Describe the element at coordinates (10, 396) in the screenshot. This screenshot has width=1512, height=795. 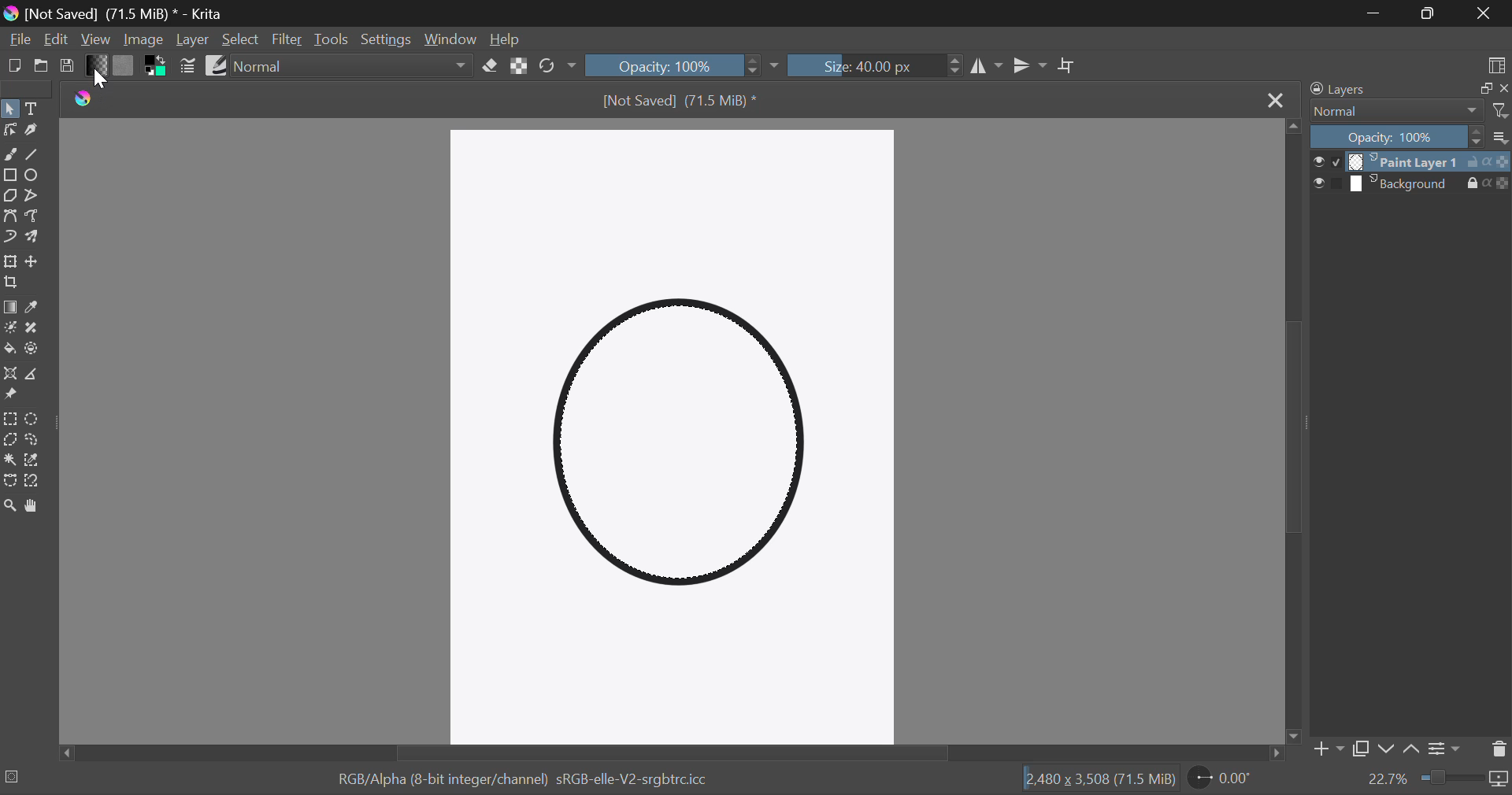
I see `Reference Images` at that location.